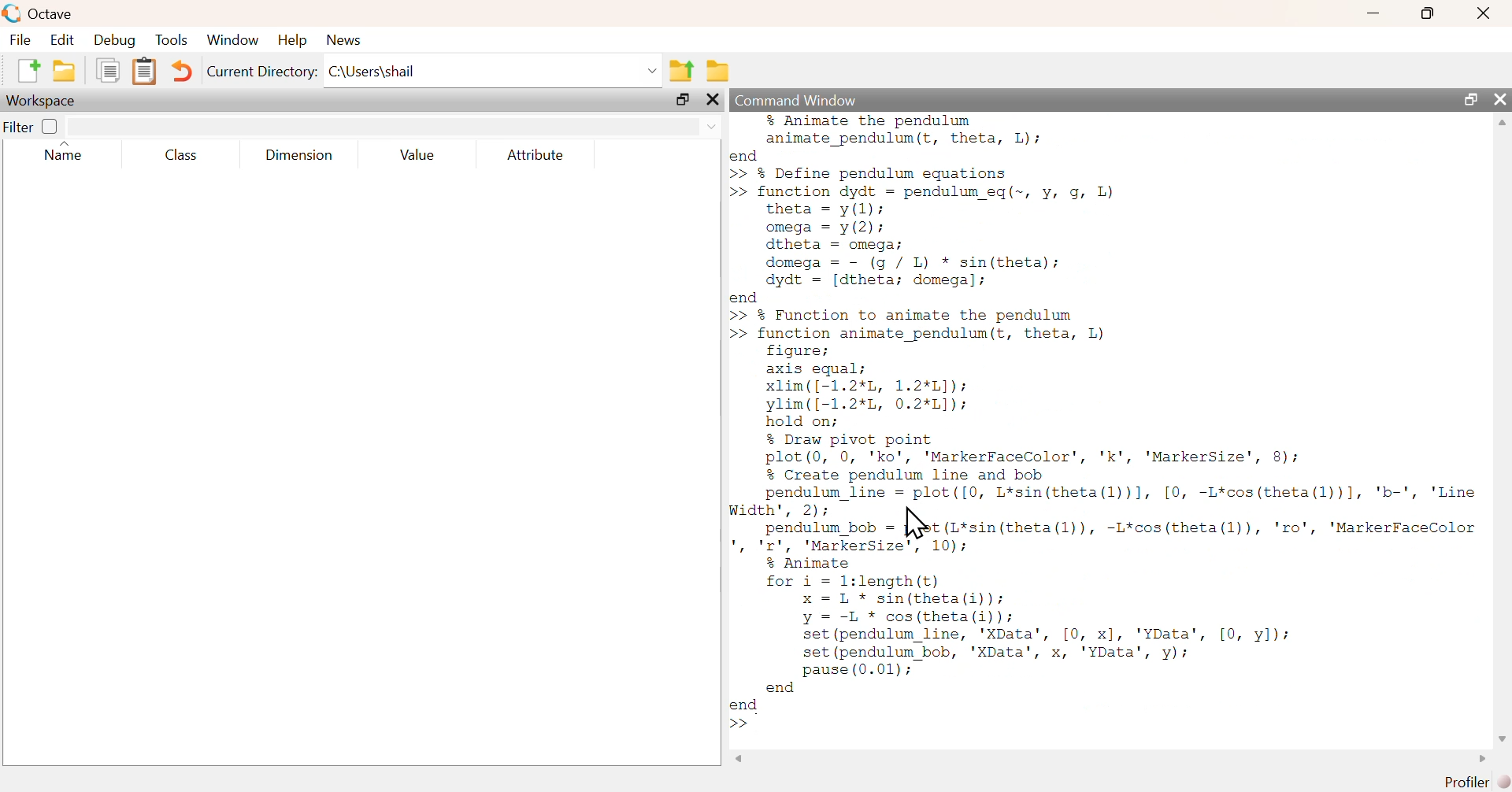 This screenshot has width=1512, height=792. I want to click on Close, so click(716, 101).